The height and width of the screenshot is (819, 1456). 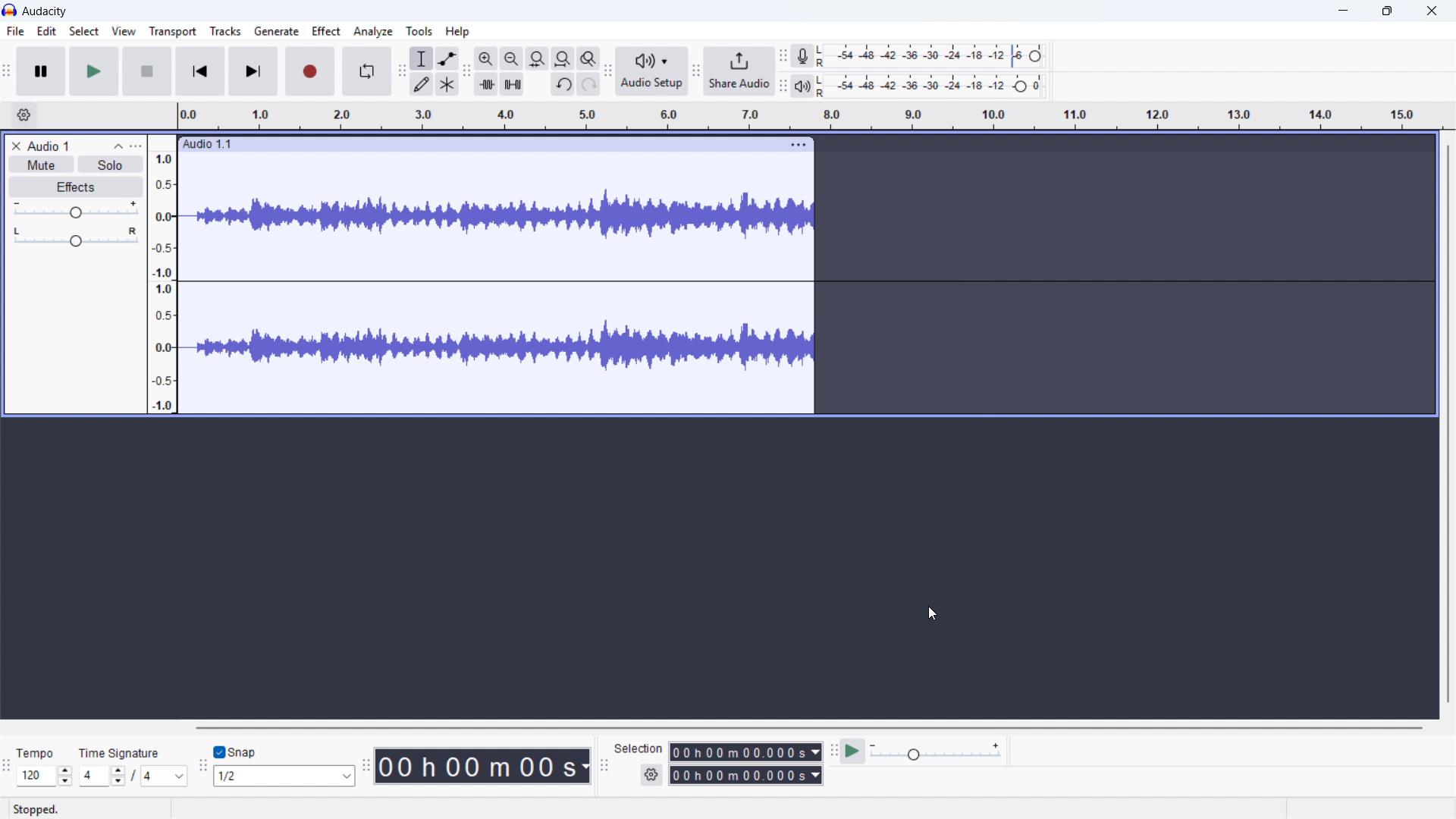 I want to click on Selection start time , so click(x=745, y=752).